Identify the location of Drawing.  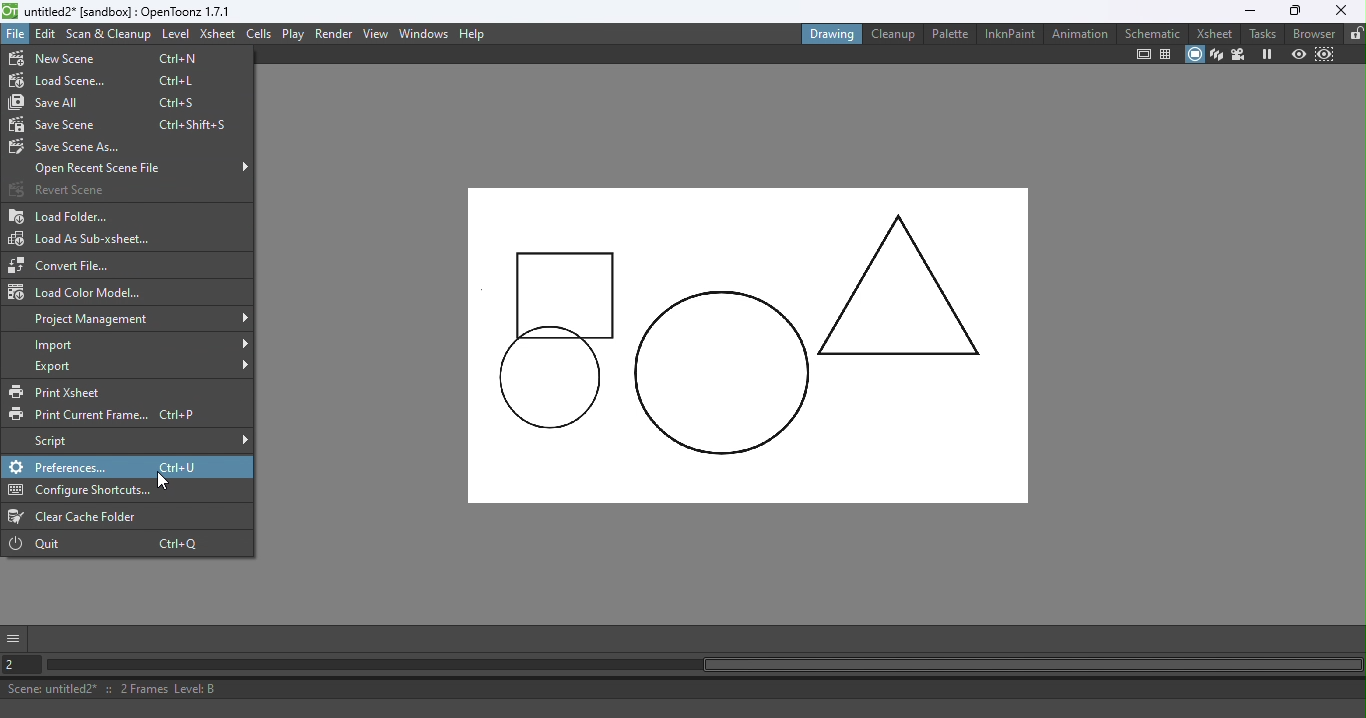
(831, 33).